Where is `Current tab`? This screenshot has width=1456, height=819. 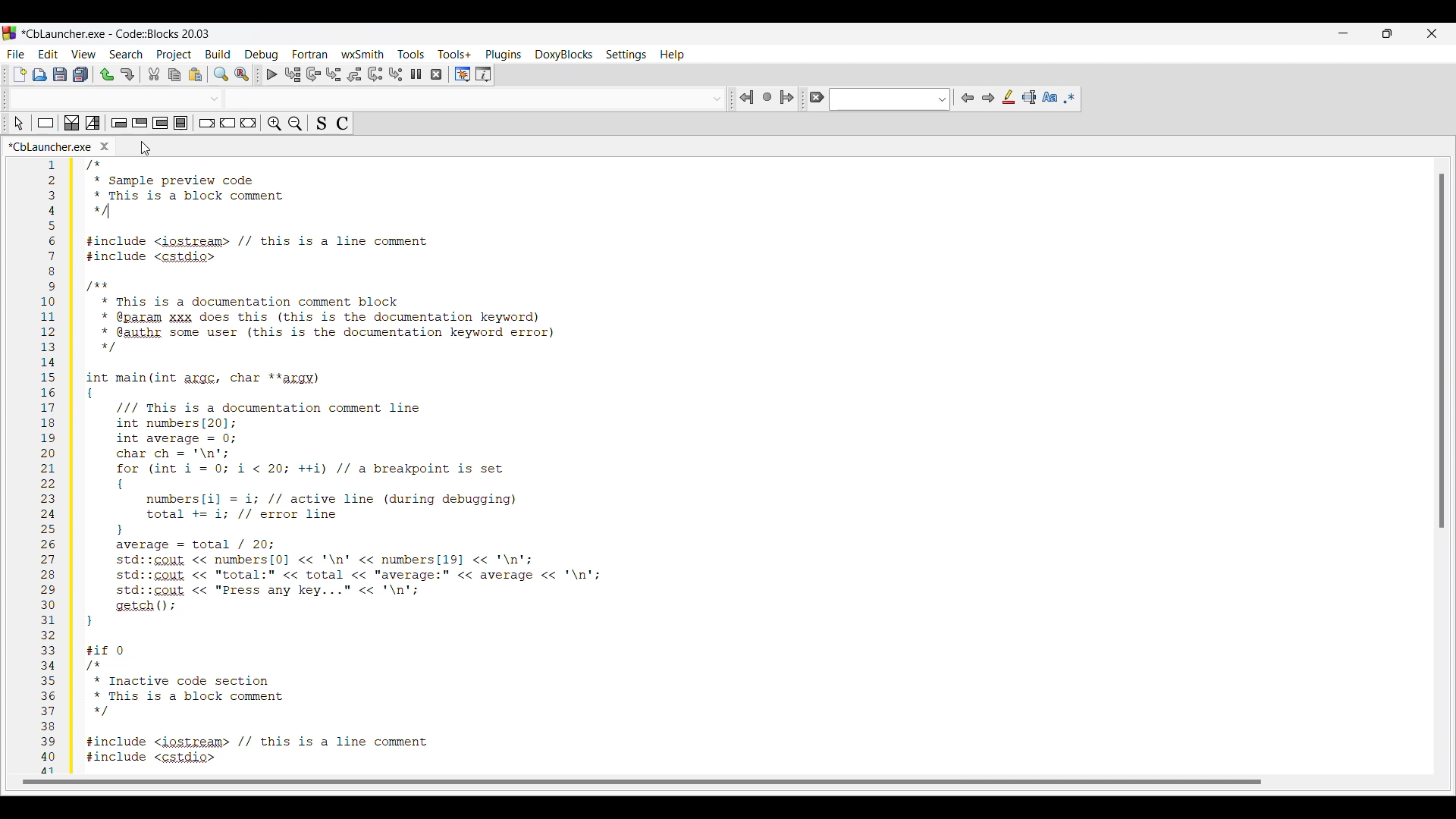
Current tab is located at coordinates (208, 146).